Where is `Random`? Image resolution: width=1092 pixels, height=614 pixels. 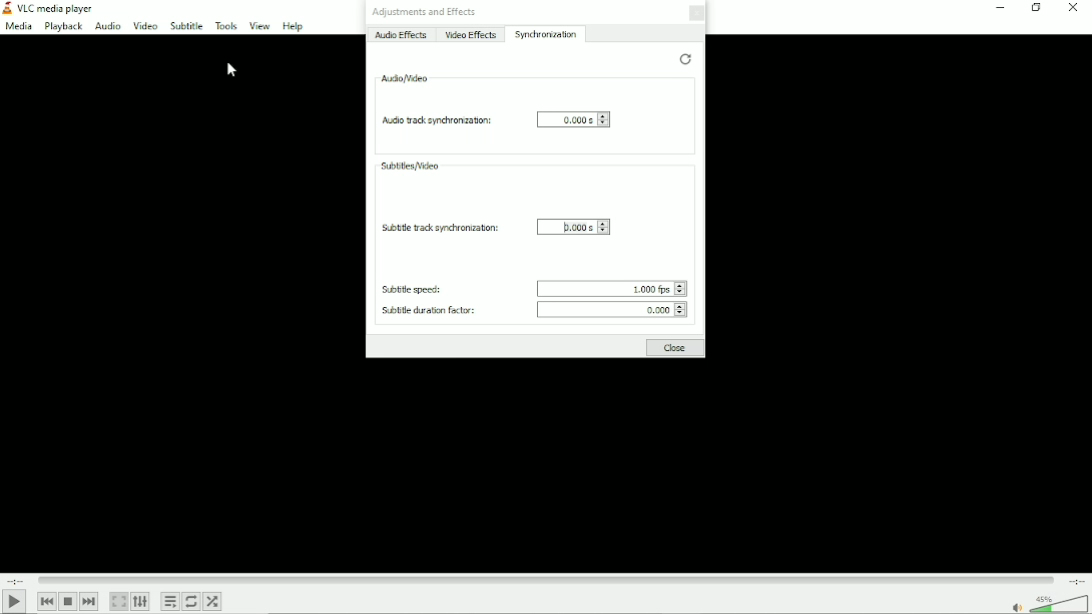 Random is located at coordinates (213, 601).